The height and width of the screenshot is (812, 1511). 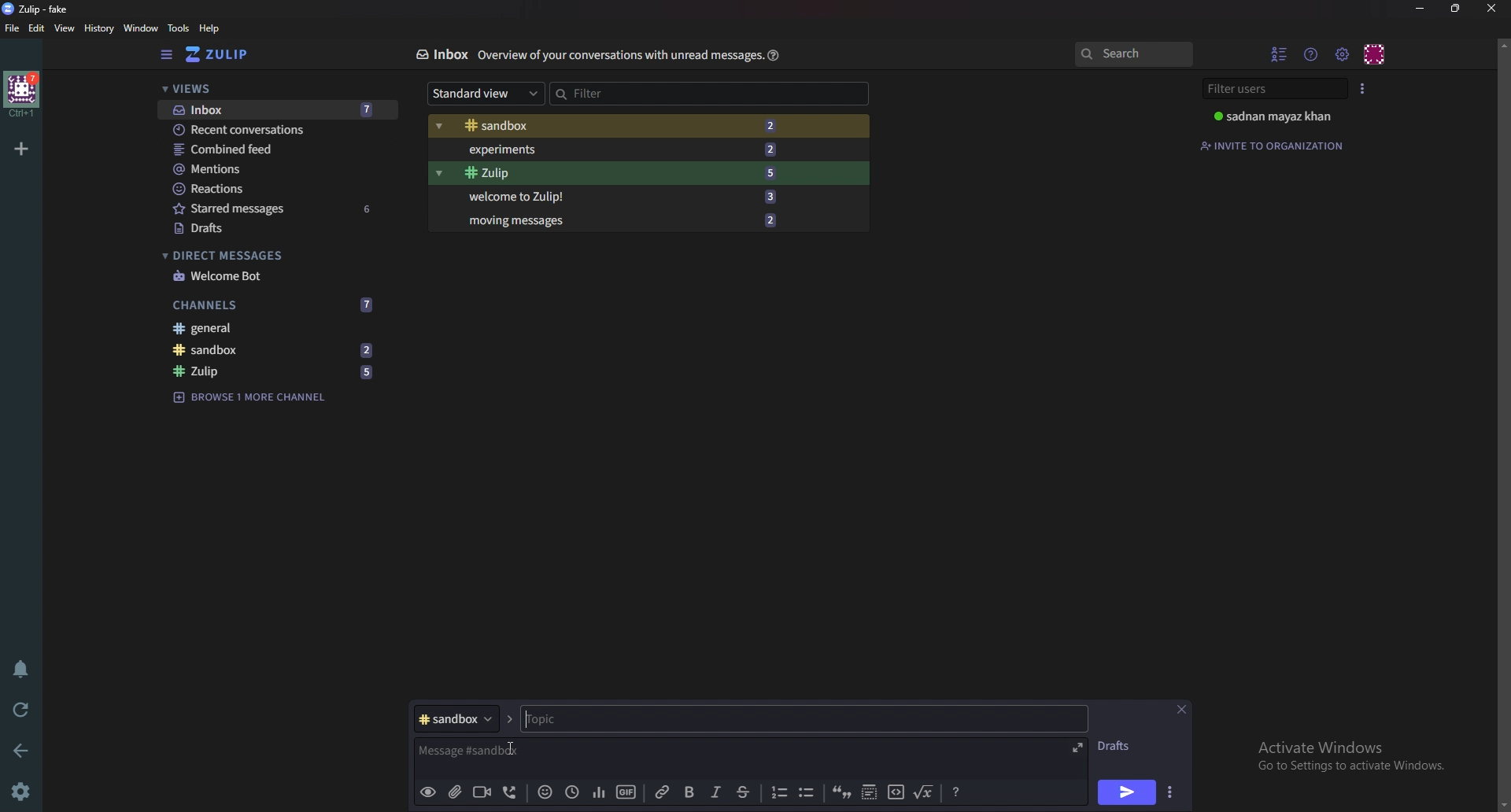 What do you see at coordinates (1119, 746) in the screenshot?
I see `Drafts` at bounding box center [1119, 746].